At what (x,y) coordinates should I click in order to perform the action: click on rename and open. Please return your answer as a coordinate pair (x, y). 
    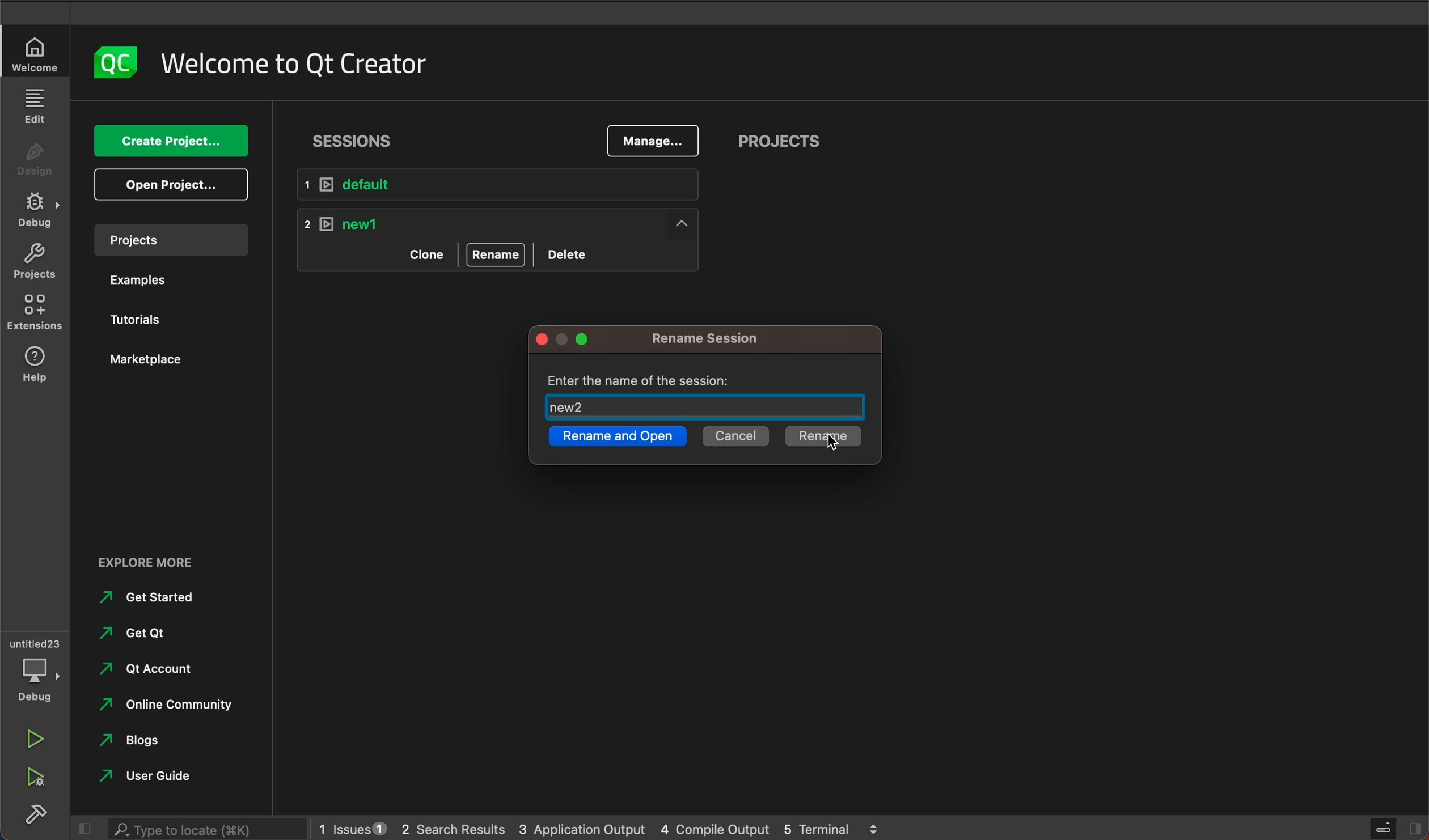
    Looking at the image, I should click on (616, 439).